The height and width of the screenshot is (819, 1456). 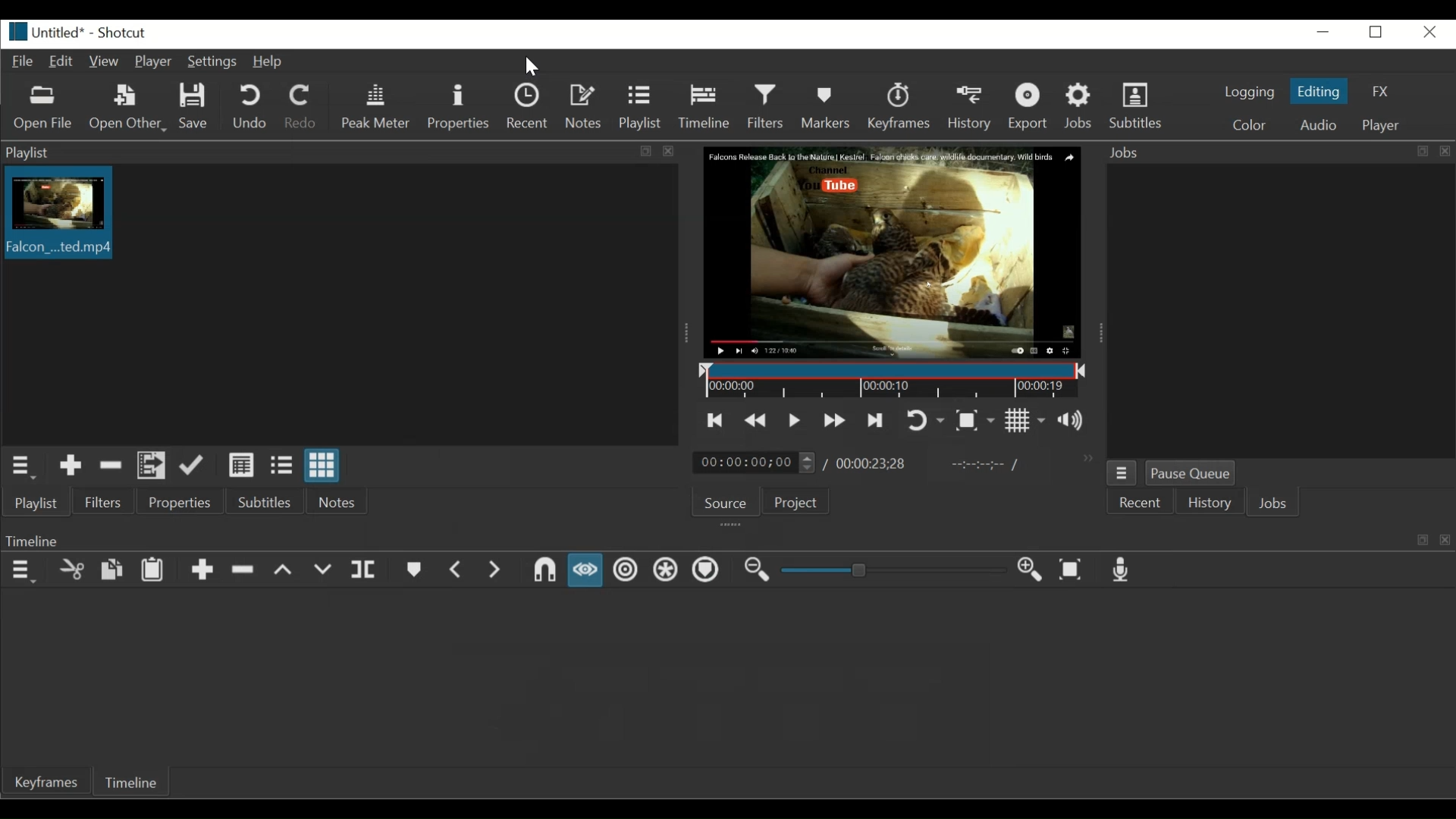 I want to click on Help, so click(x=270, y=62).